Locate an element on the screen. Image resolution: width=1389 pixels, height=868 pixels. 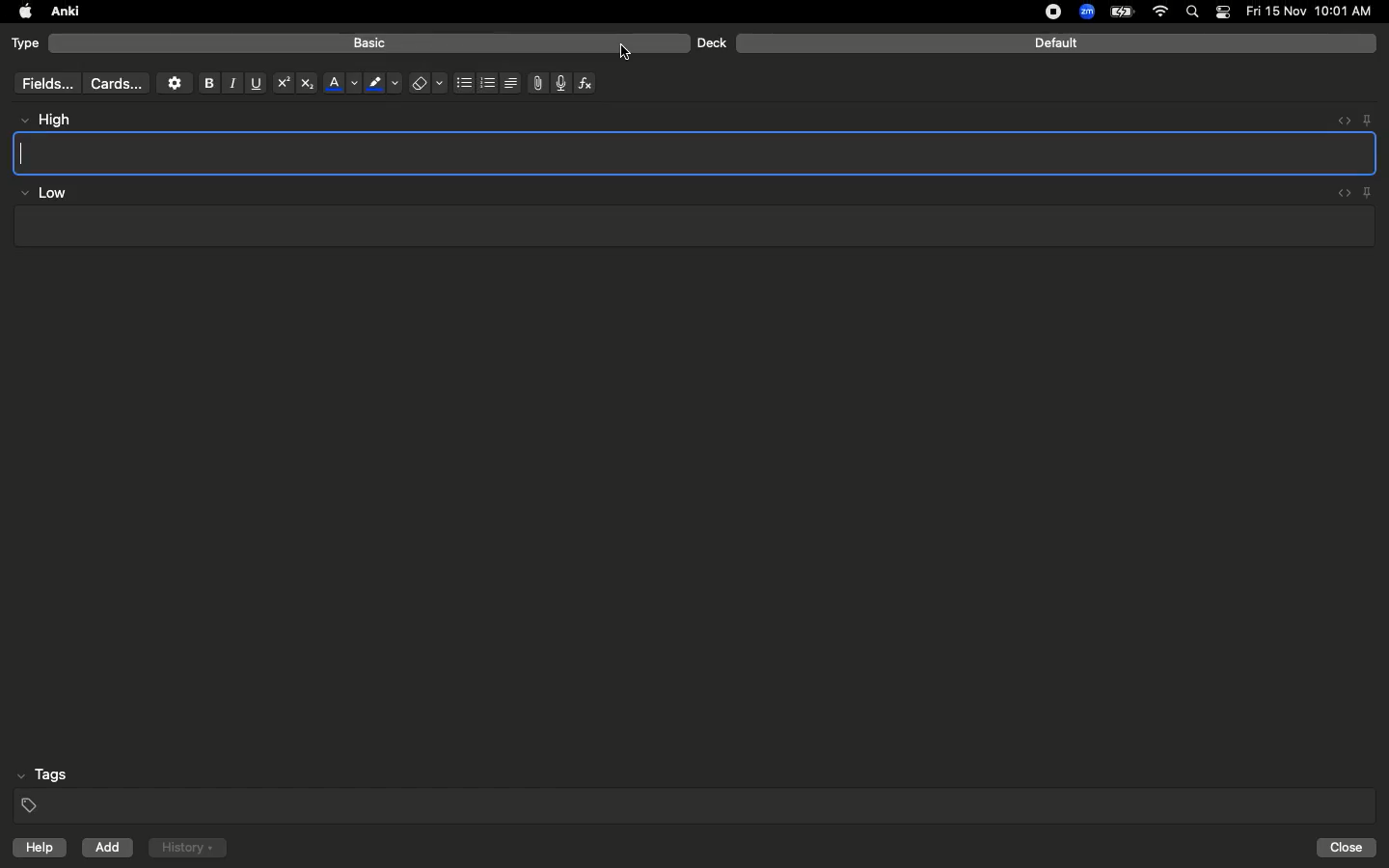
History is located at coordinates (187, 848).